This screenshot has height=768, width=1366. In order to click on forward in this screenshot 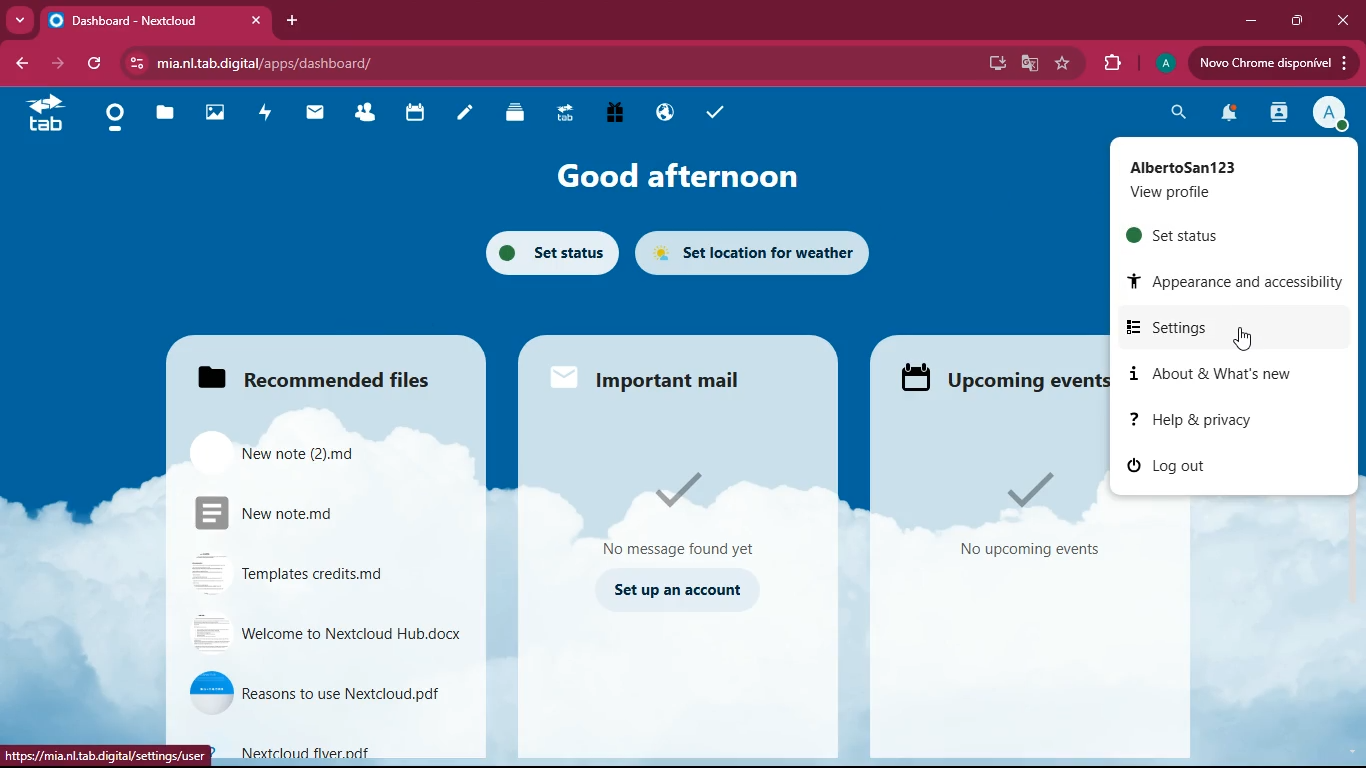, I will do `click(55, 64)`.